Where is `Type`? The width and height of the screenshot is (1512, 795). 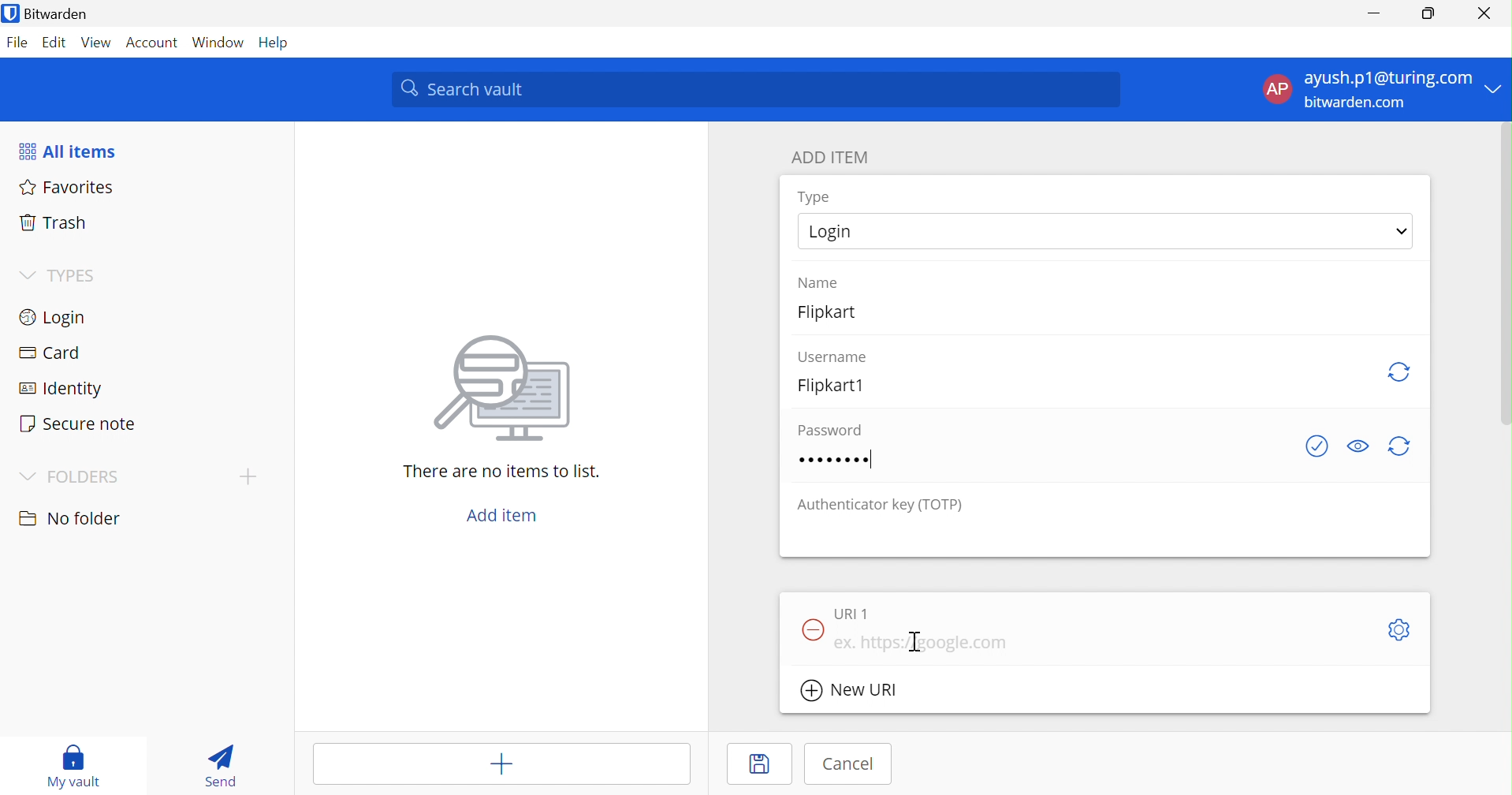
Type is located at coordinates (814, 197).